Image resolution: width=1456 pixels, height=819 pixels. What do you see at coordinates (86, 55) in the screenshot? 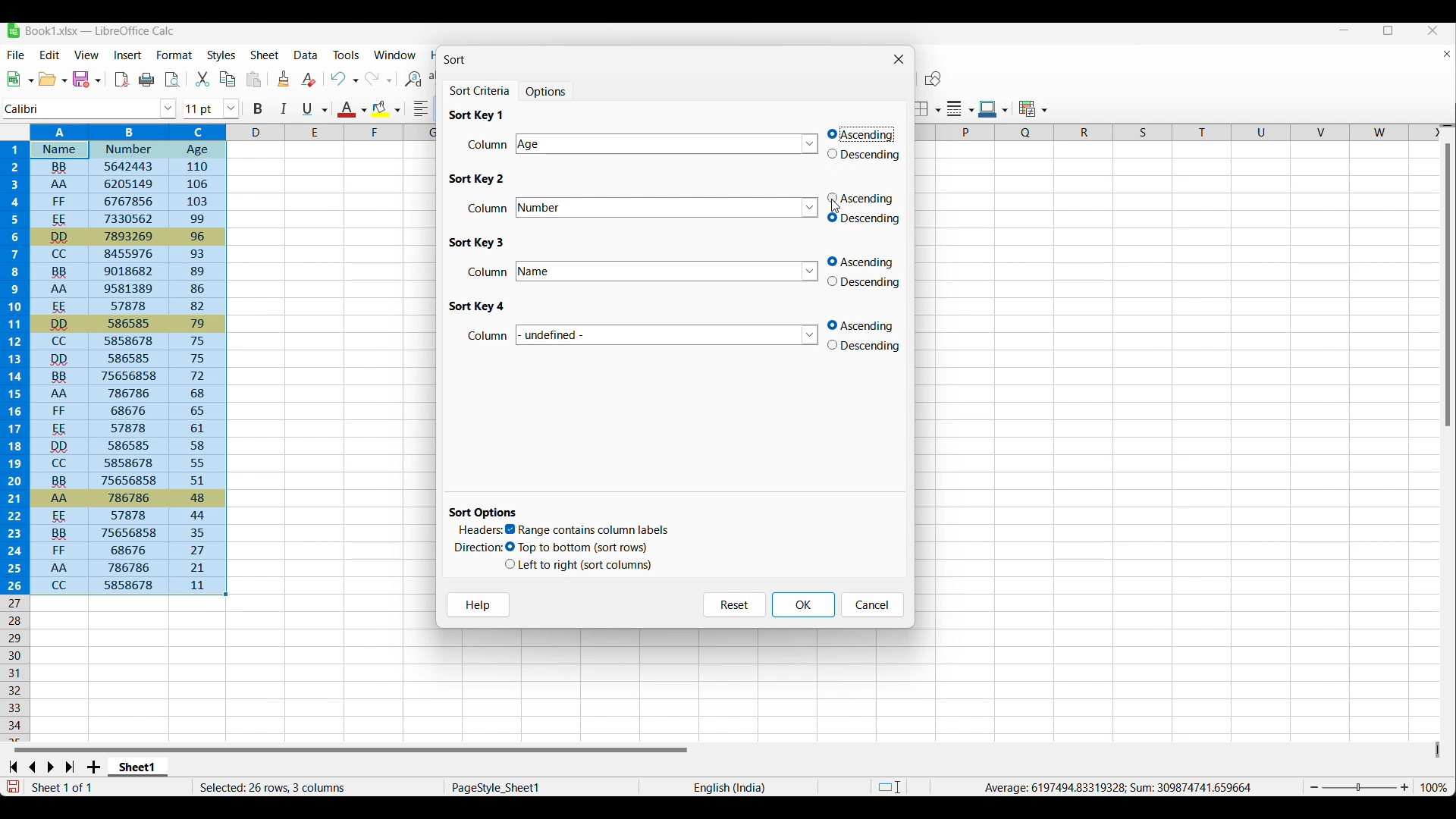
I see `View menu` at bounding box center [86, 55].